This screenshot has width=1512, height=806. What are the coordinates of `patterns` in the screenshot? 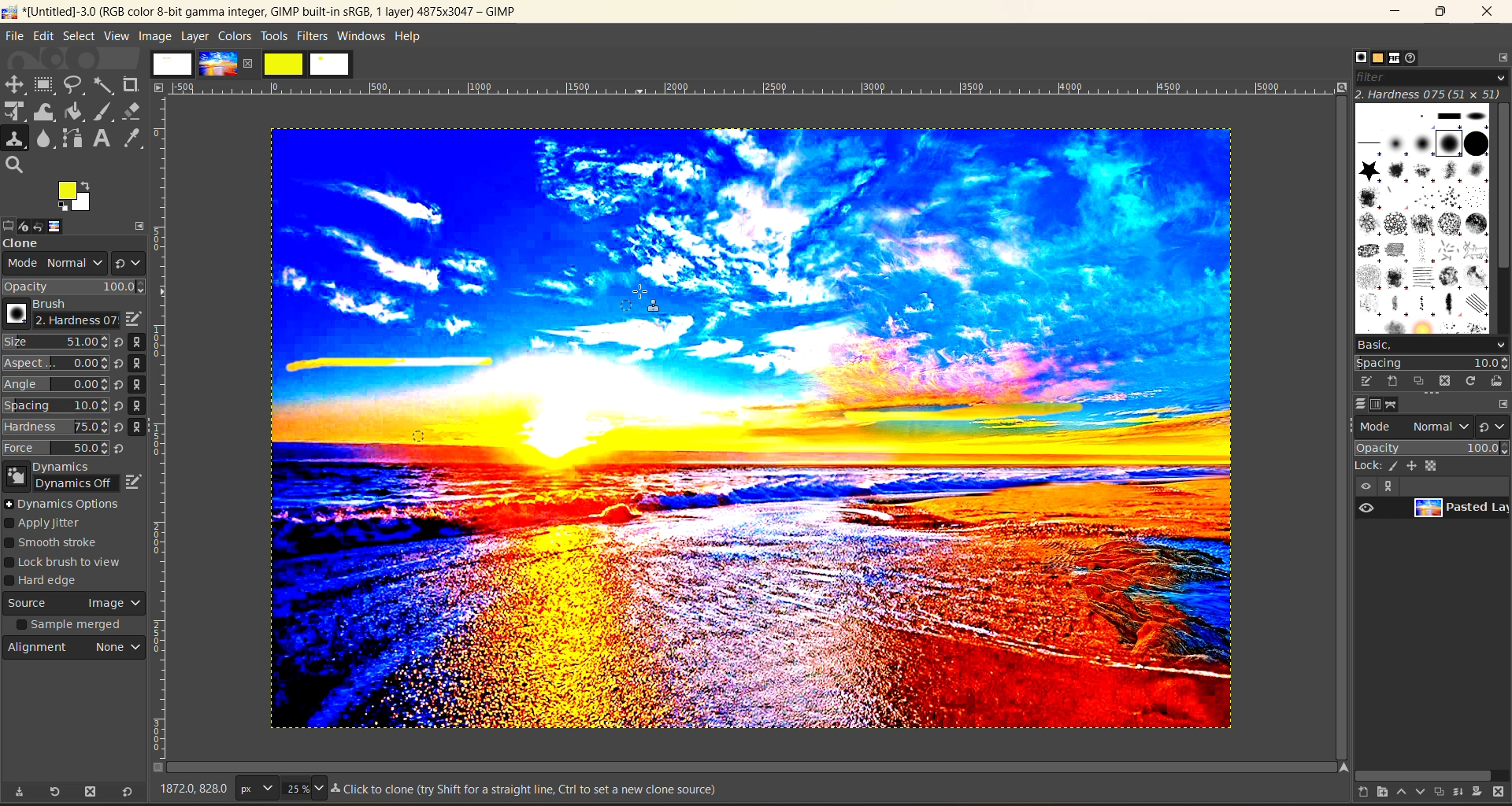 It's located at (1376, 59).